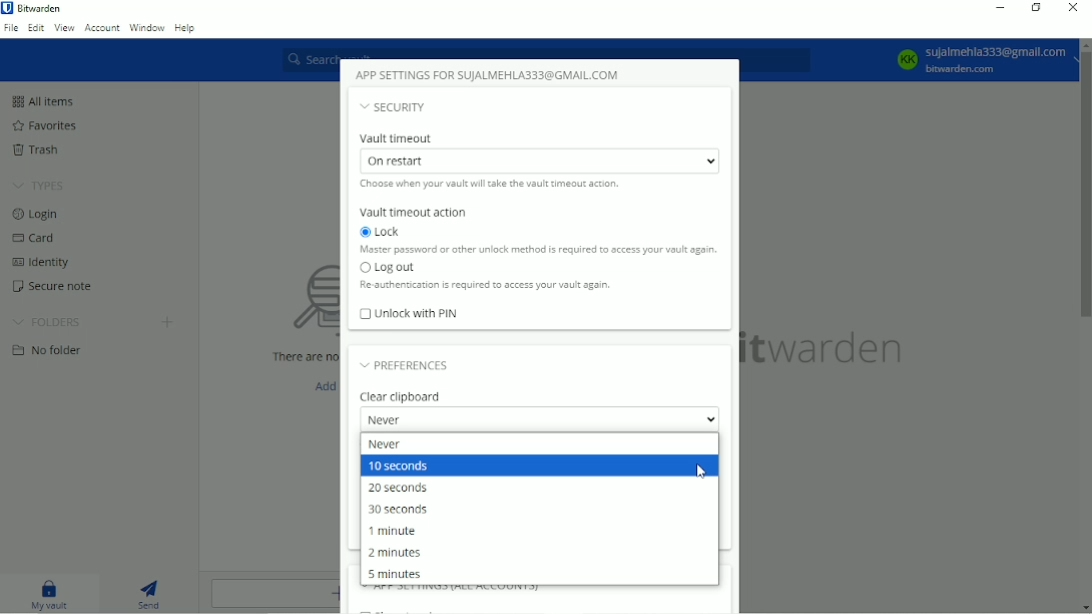 The height and width of the screenshot is (614, 1092). What do you see at coordinates (13, 28) in the screenshot?
I see `File` at bounding box center [13, 28].